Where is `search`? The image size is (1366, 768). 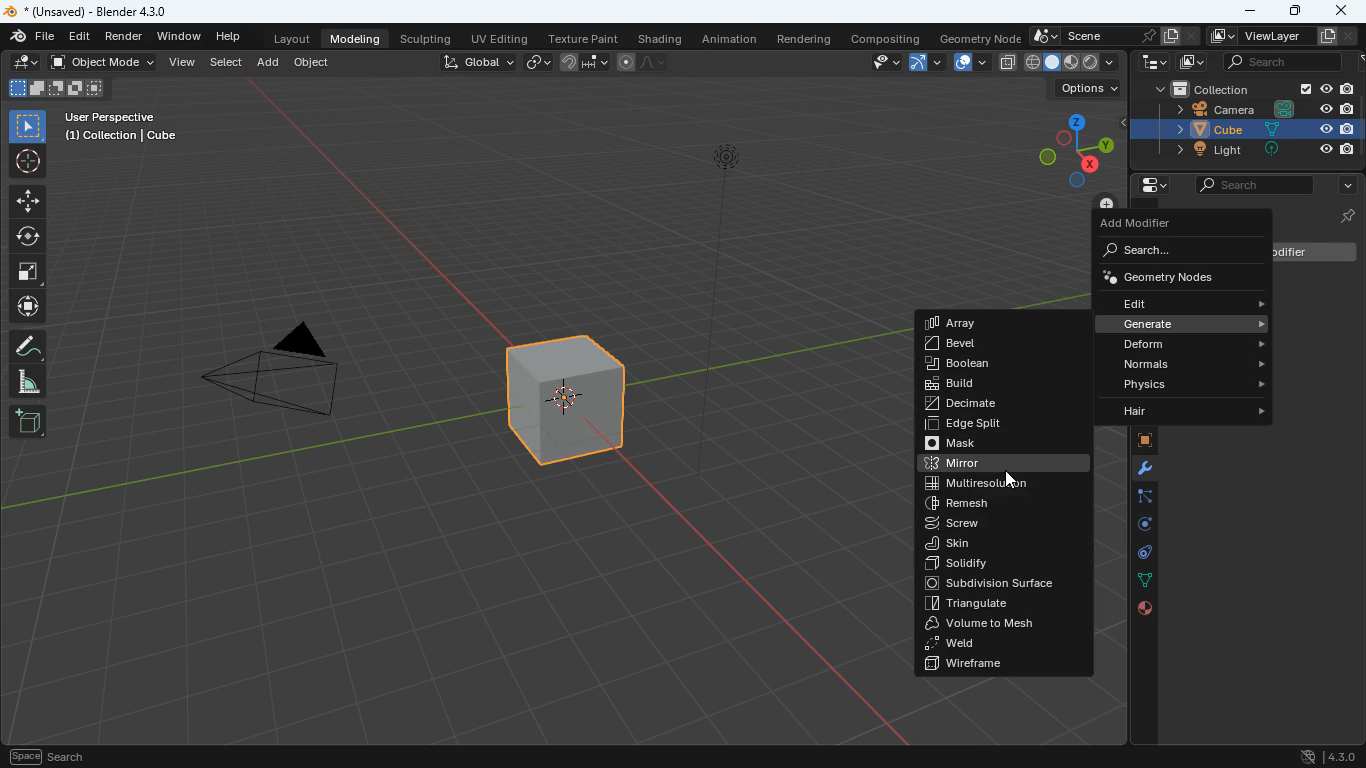
search is located at coordinates (1254, 186).